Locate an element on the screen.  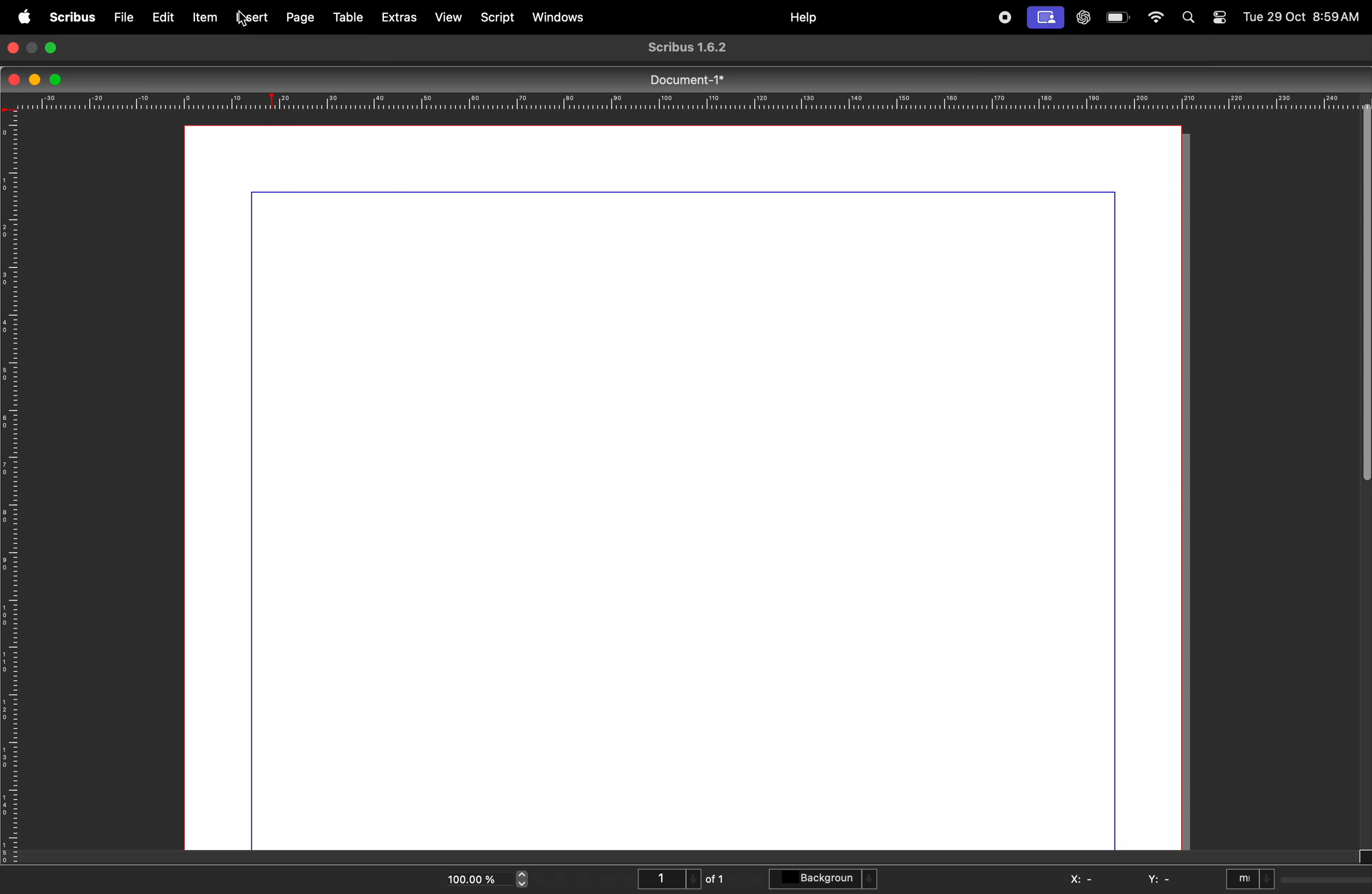
1 is located at coordinates (666, 877).